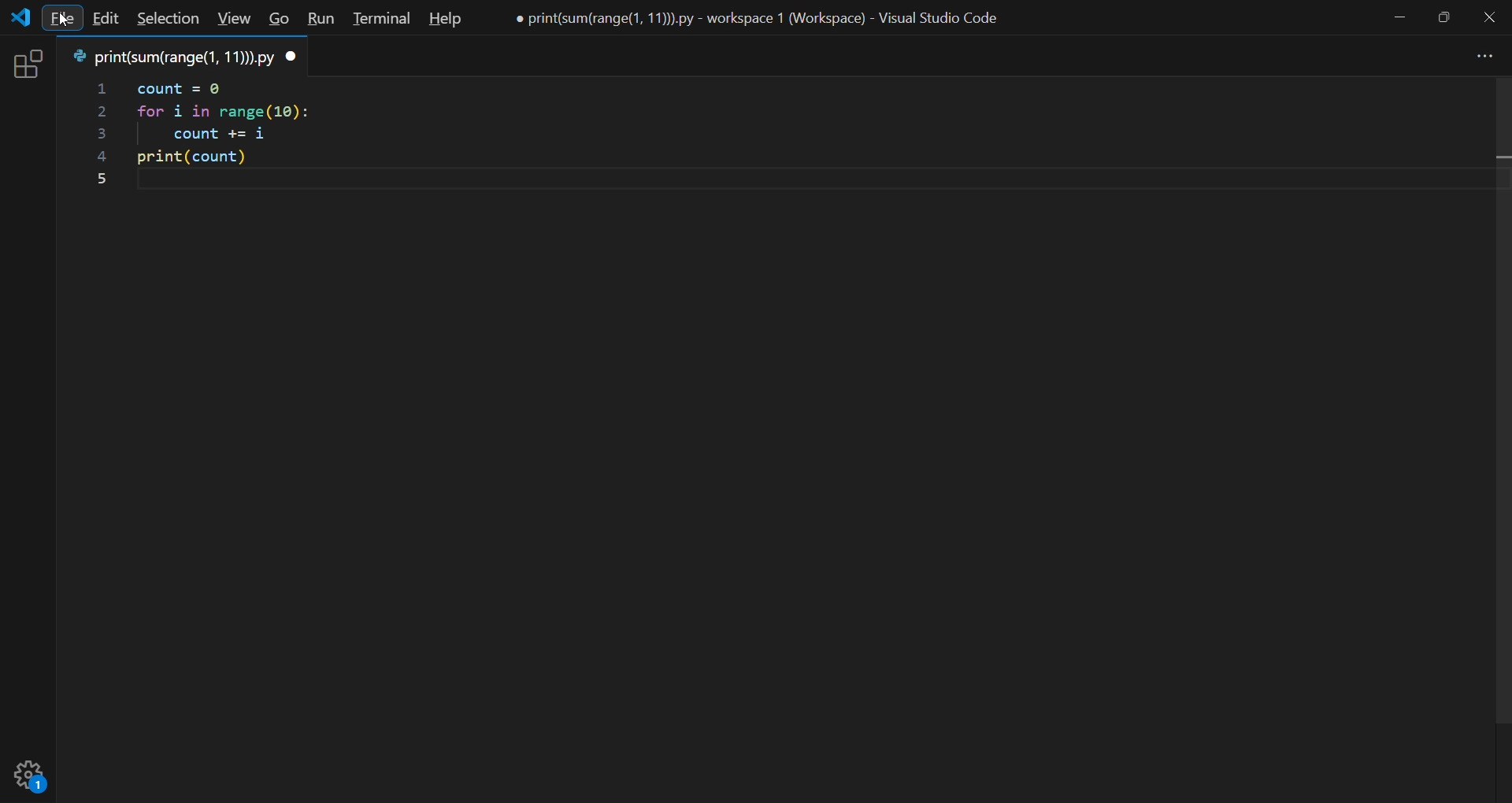  What do you see at coordinates (64, 17) in the screenshot?
I see `file` at bounding box center [64, 17].